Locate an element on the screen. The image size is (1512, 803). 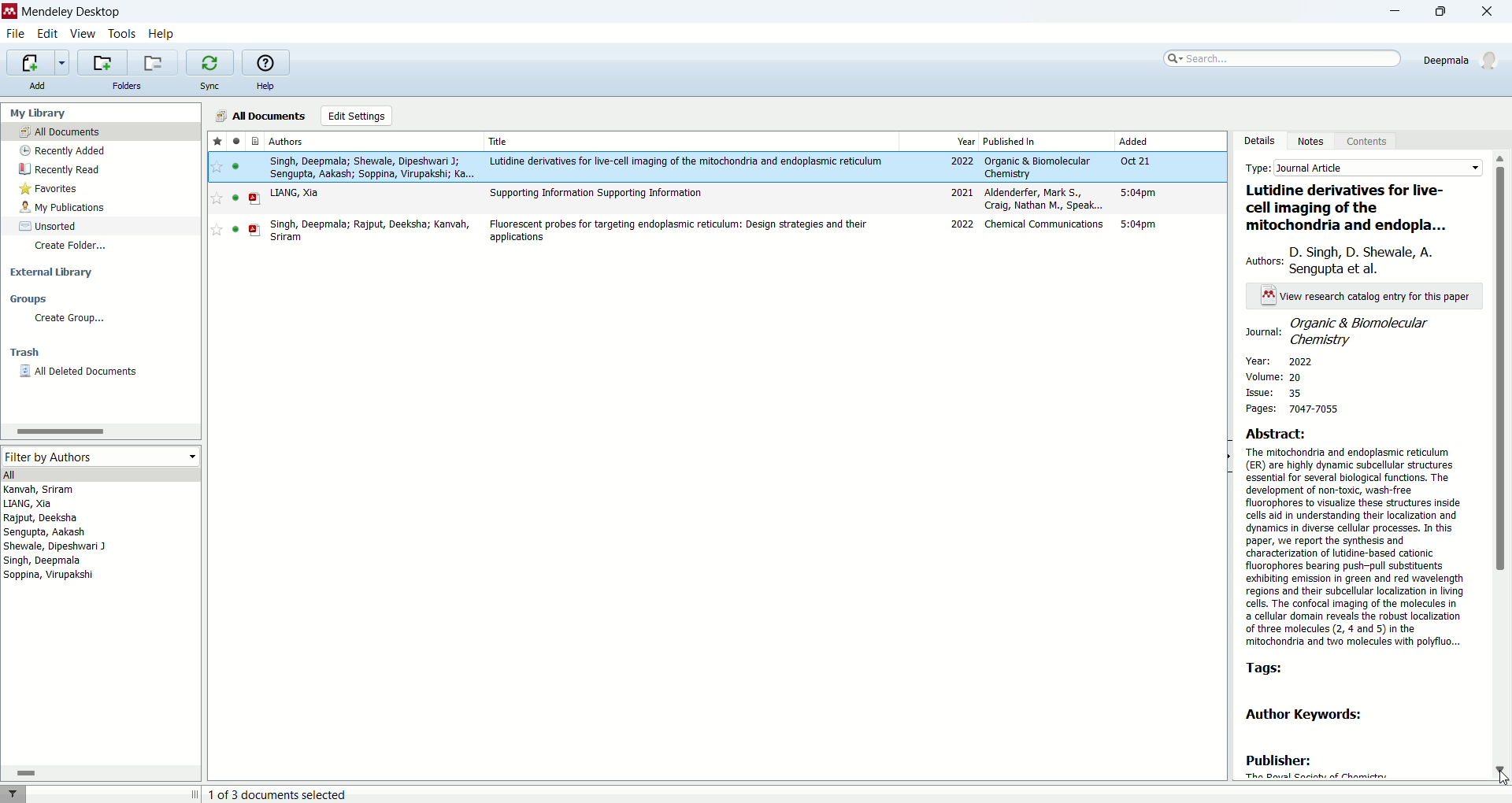
my publications is located at coordinates (64, 208).